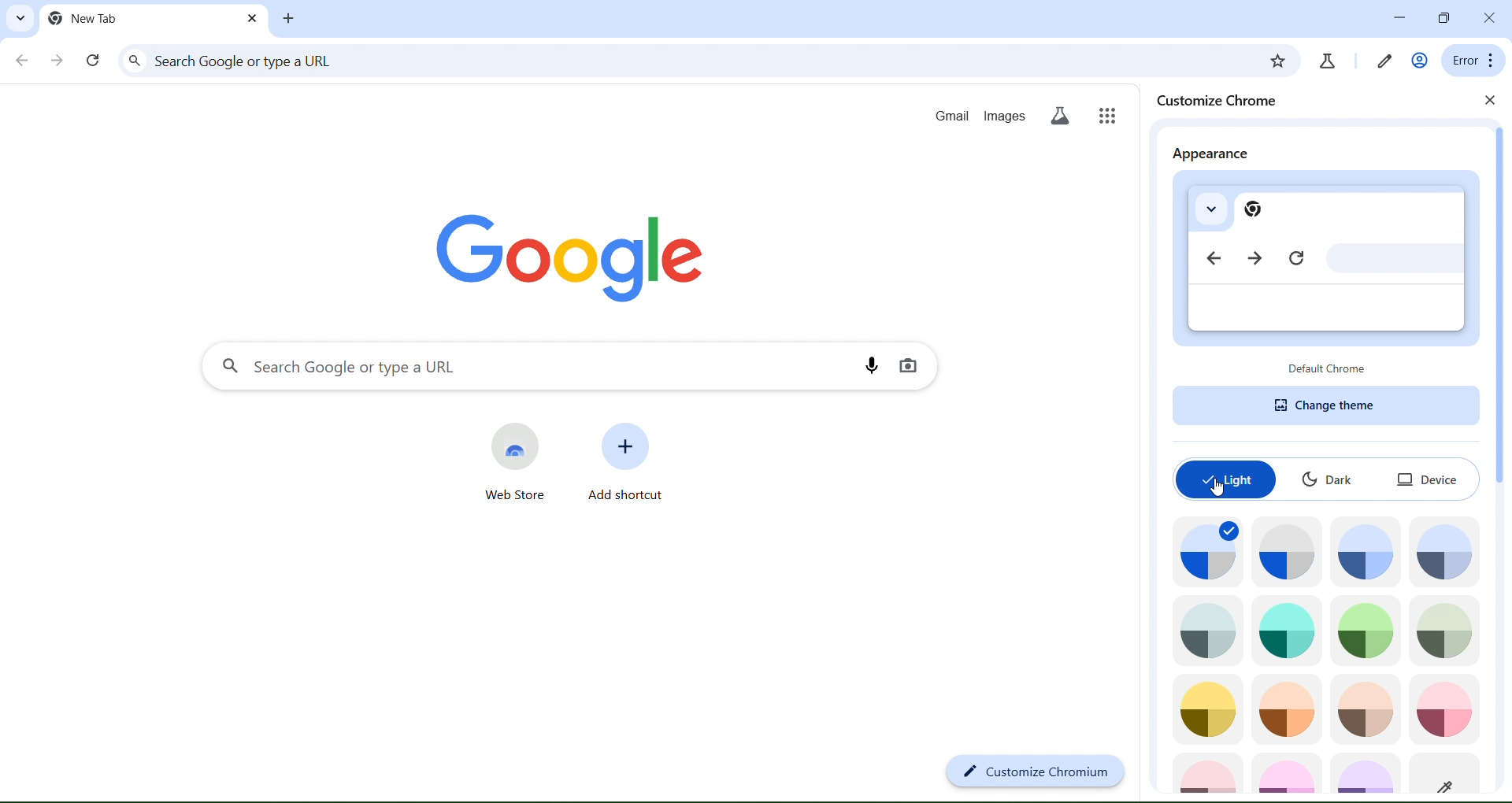 The image size is (1512, 803). Describe the element at coordinates (518, 461) in the screenshot. I see `web store` at that location.